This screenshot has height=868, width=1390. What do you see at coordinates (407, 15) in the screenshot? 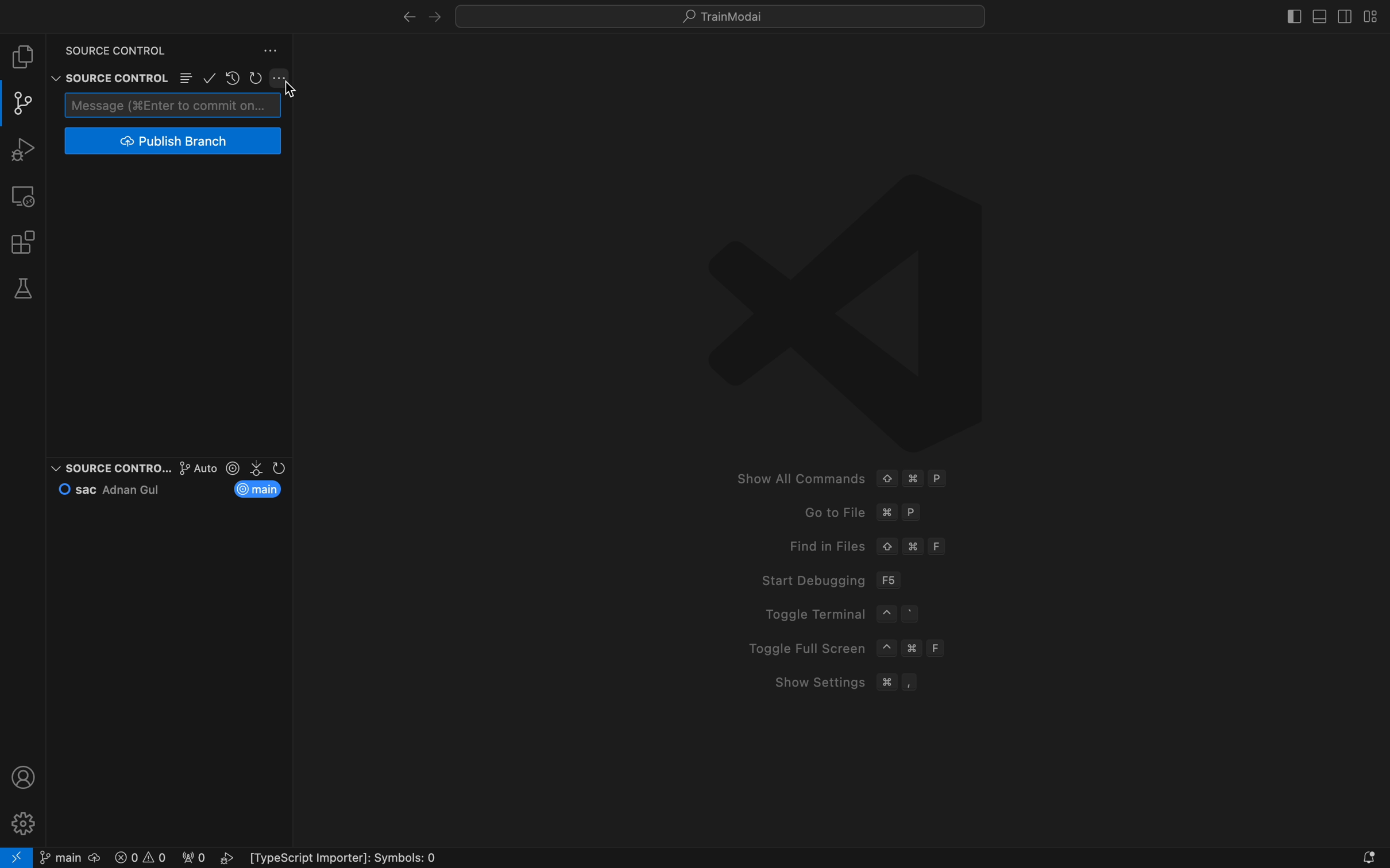
I see `right arrow` at bounding box center [407, 15].